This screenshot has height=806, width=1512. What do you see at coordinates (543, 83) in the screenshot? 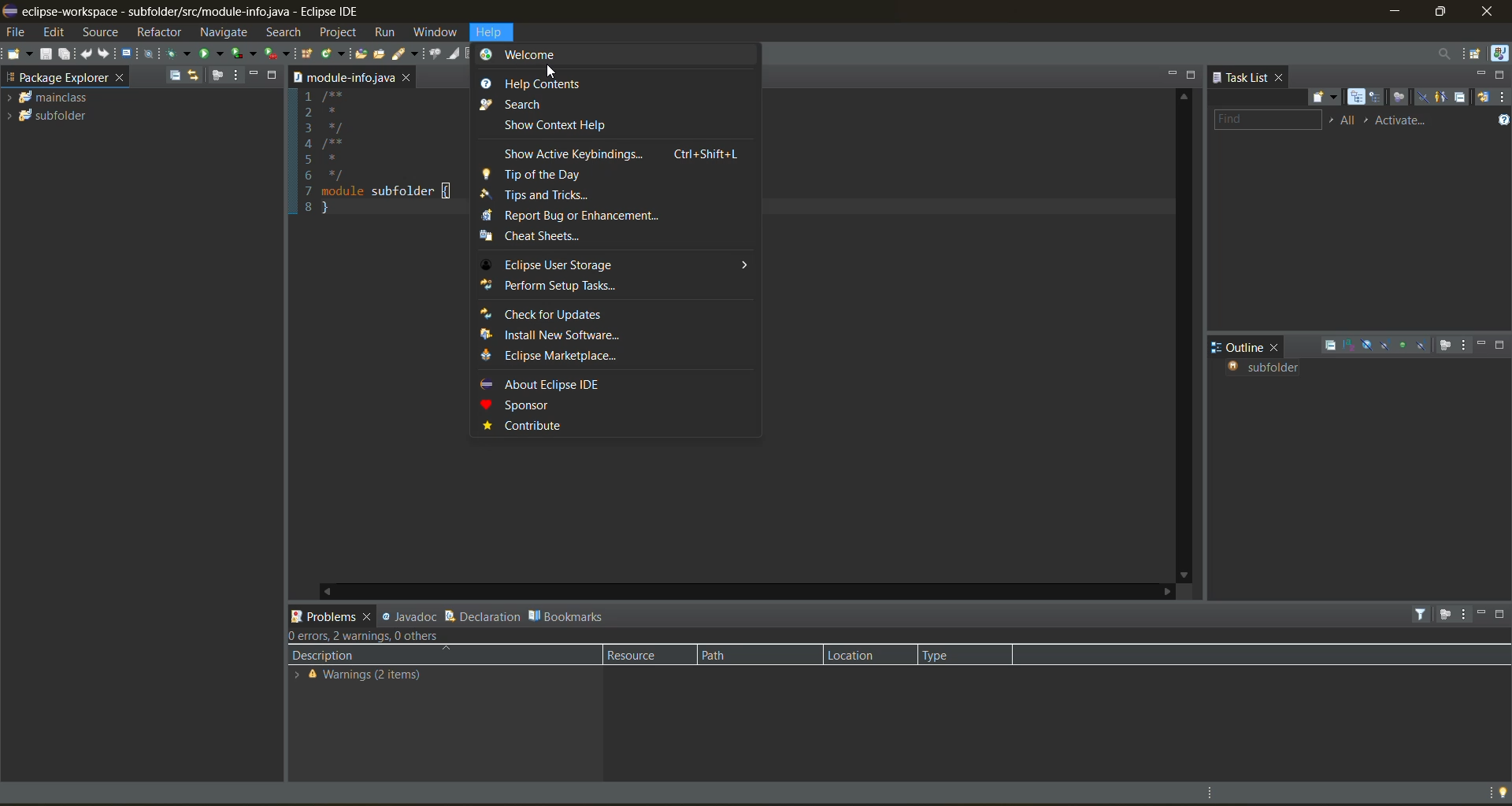
I see `help contents` at bounding box center [543, 83].